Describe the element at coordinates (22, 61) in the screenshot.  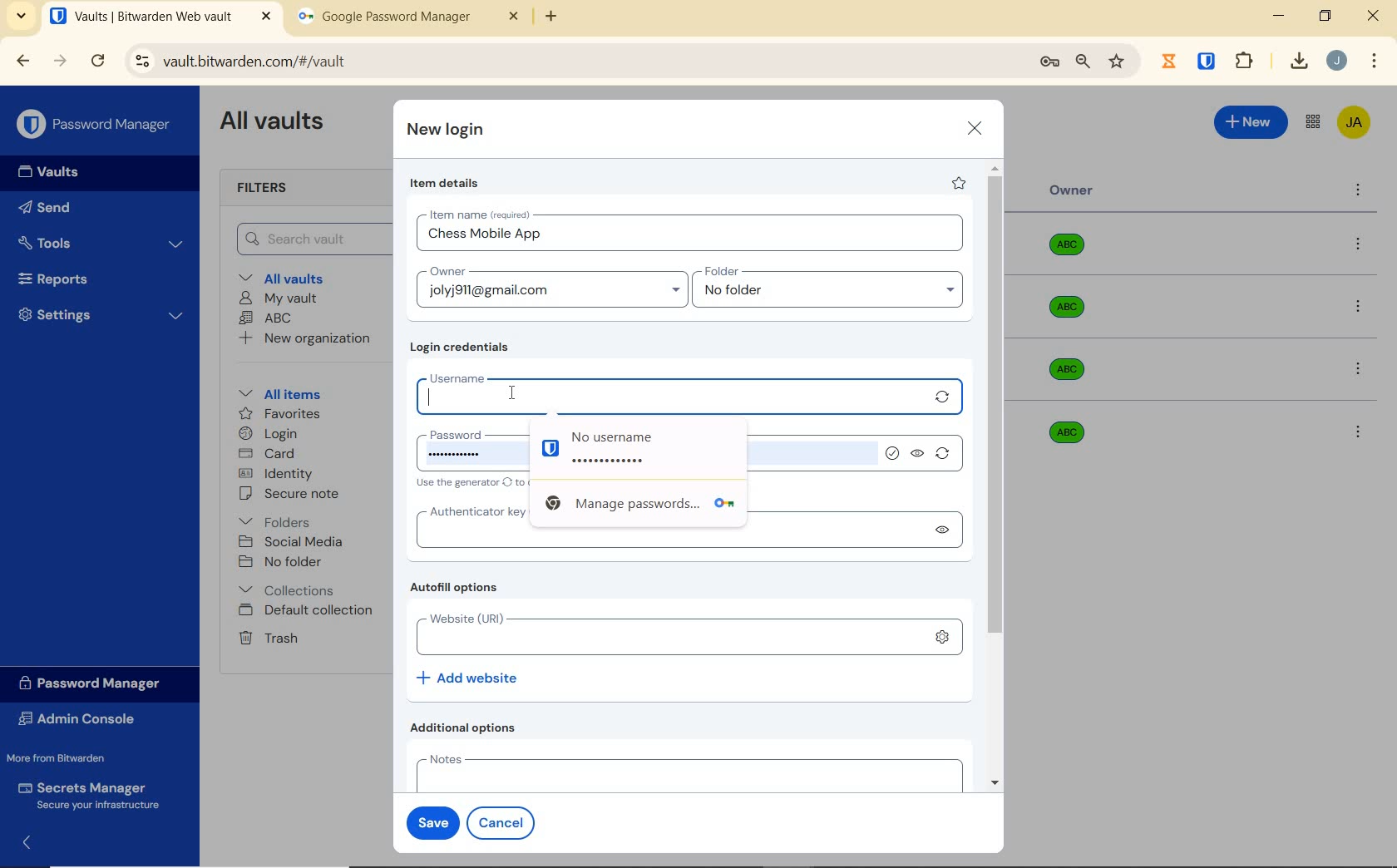
I see `backward` at that location.